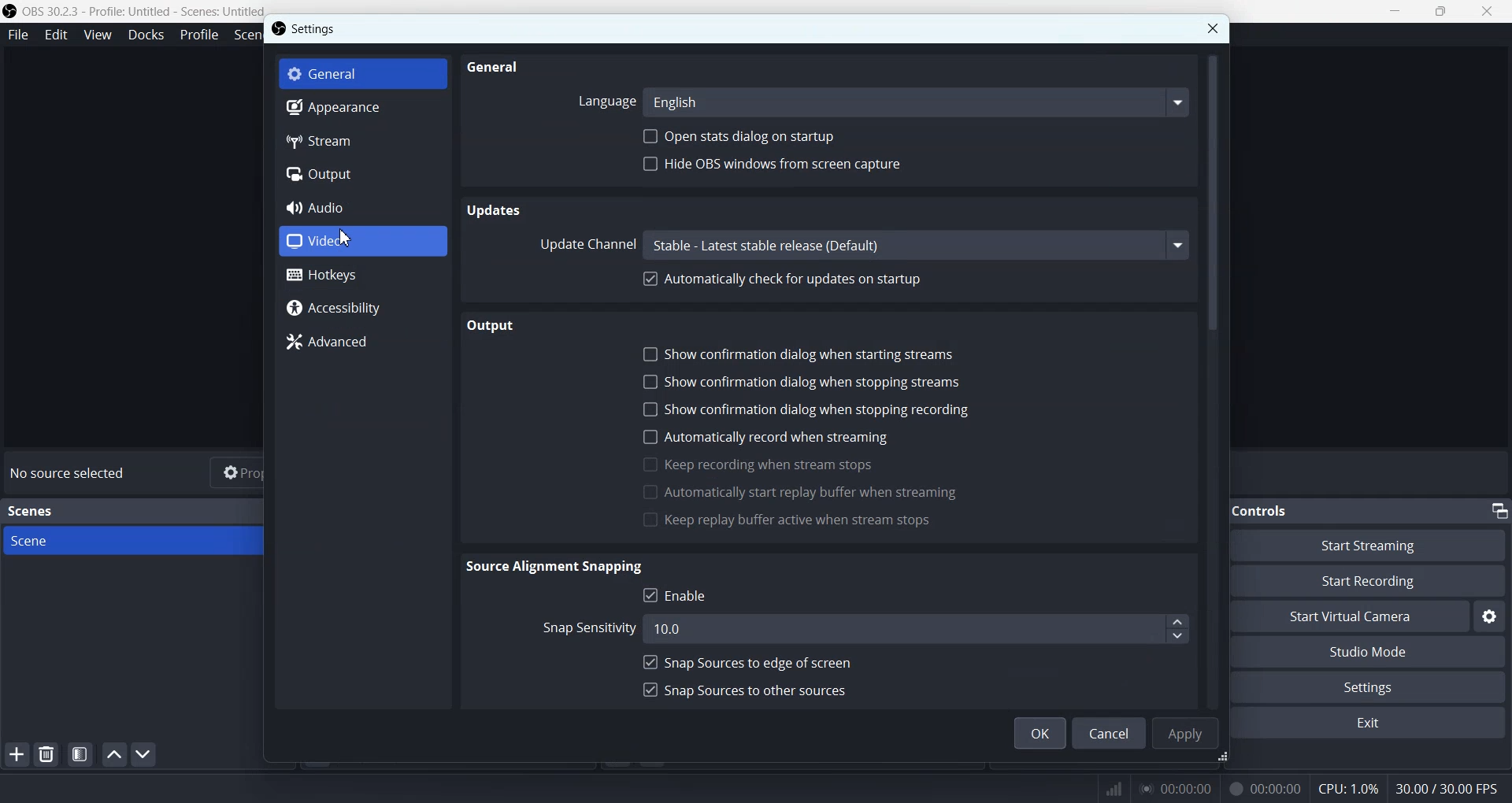 This screenshot has width=1512, height=803. Describe the element at coordinates (650, 437) in the screenshot. I see `checkbox` at that location.